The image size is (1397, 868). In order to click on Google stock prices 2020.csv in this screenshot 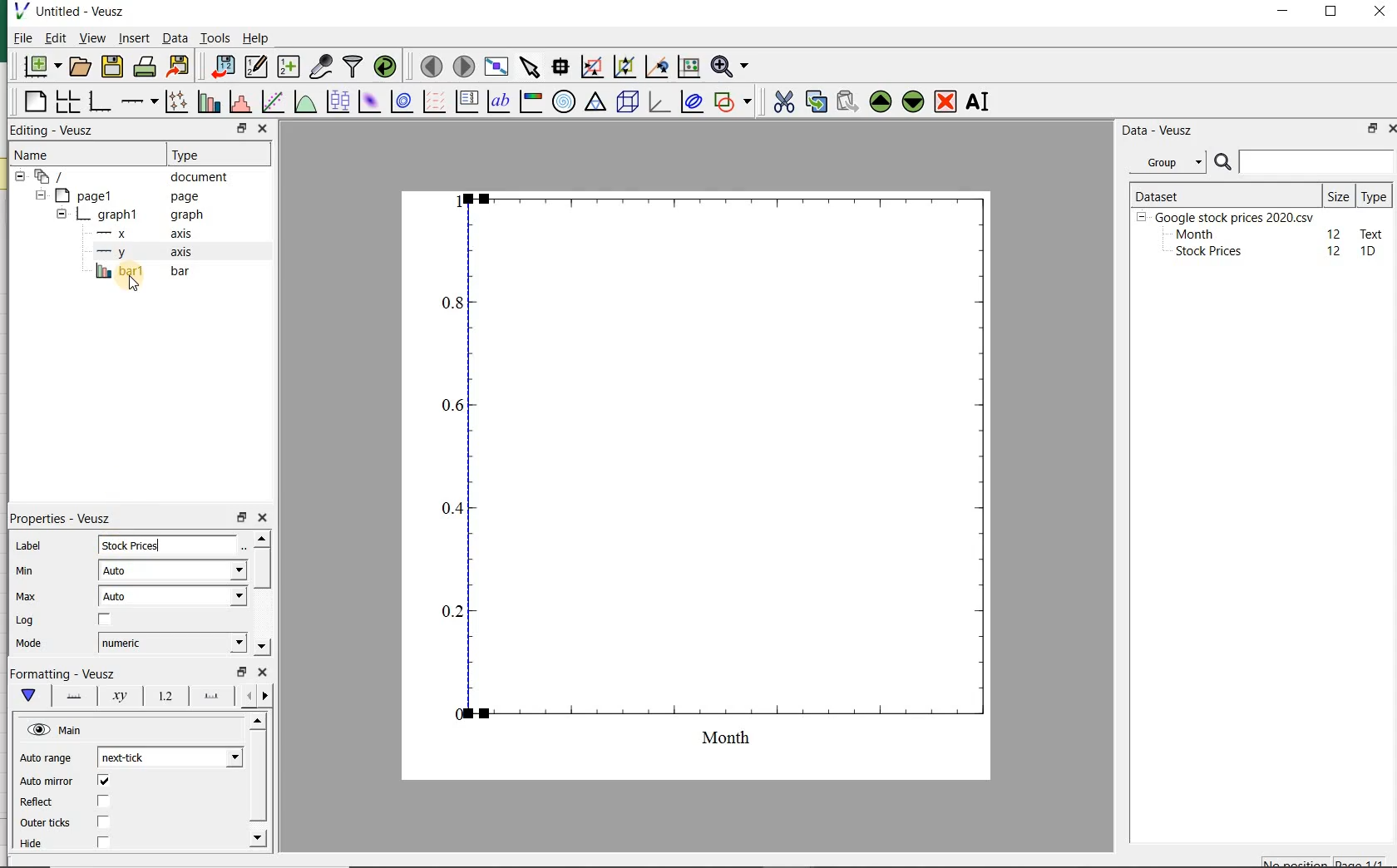, I will do `click(1228, 216)`.